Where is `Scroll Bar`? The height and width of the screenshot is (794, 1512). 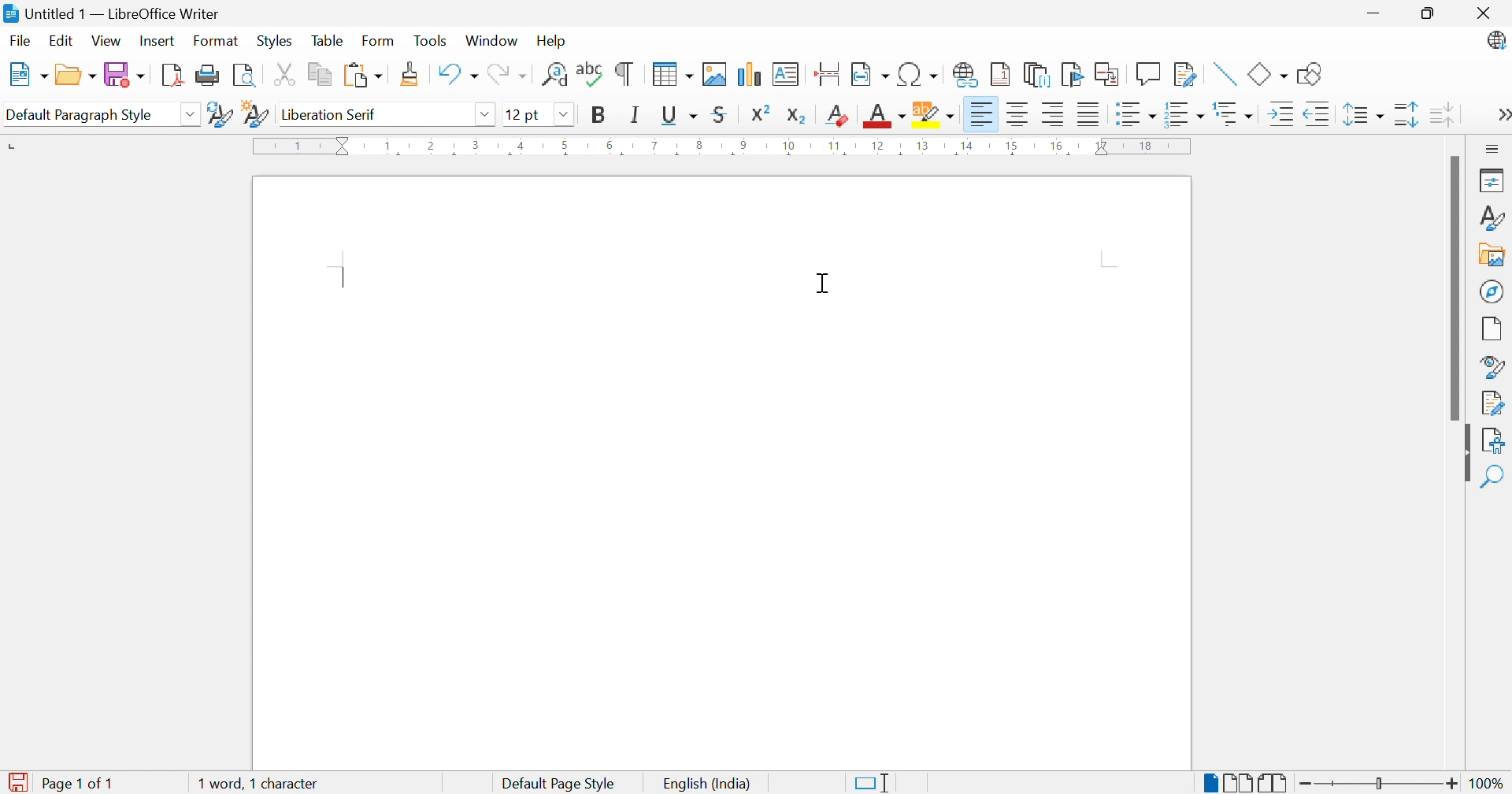 Scroll Bar is located at coordinates (1452, 288).